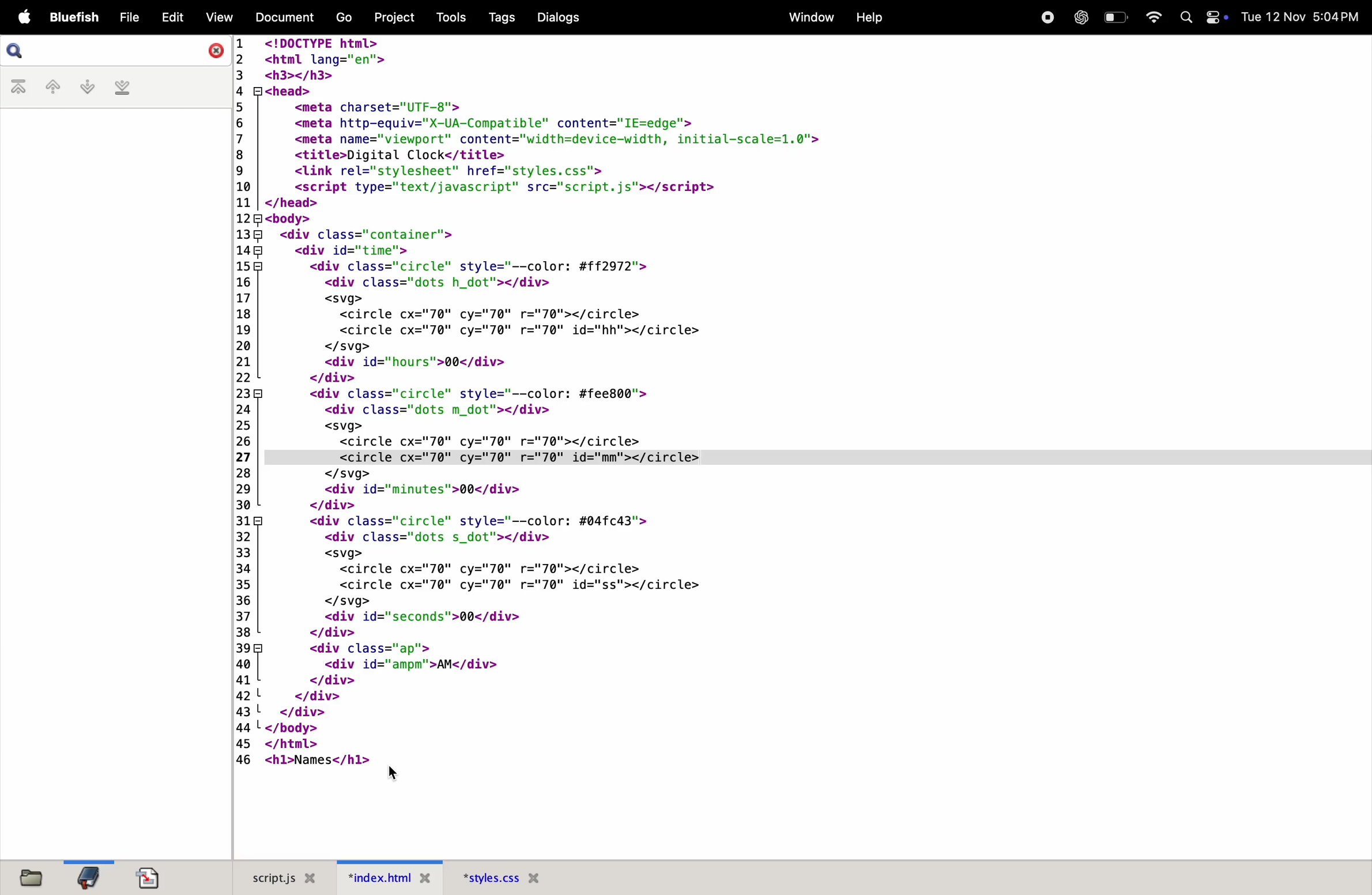  Describe the element at coordinates (74, 16) in the screenshot. I see `bluefish` at that location.